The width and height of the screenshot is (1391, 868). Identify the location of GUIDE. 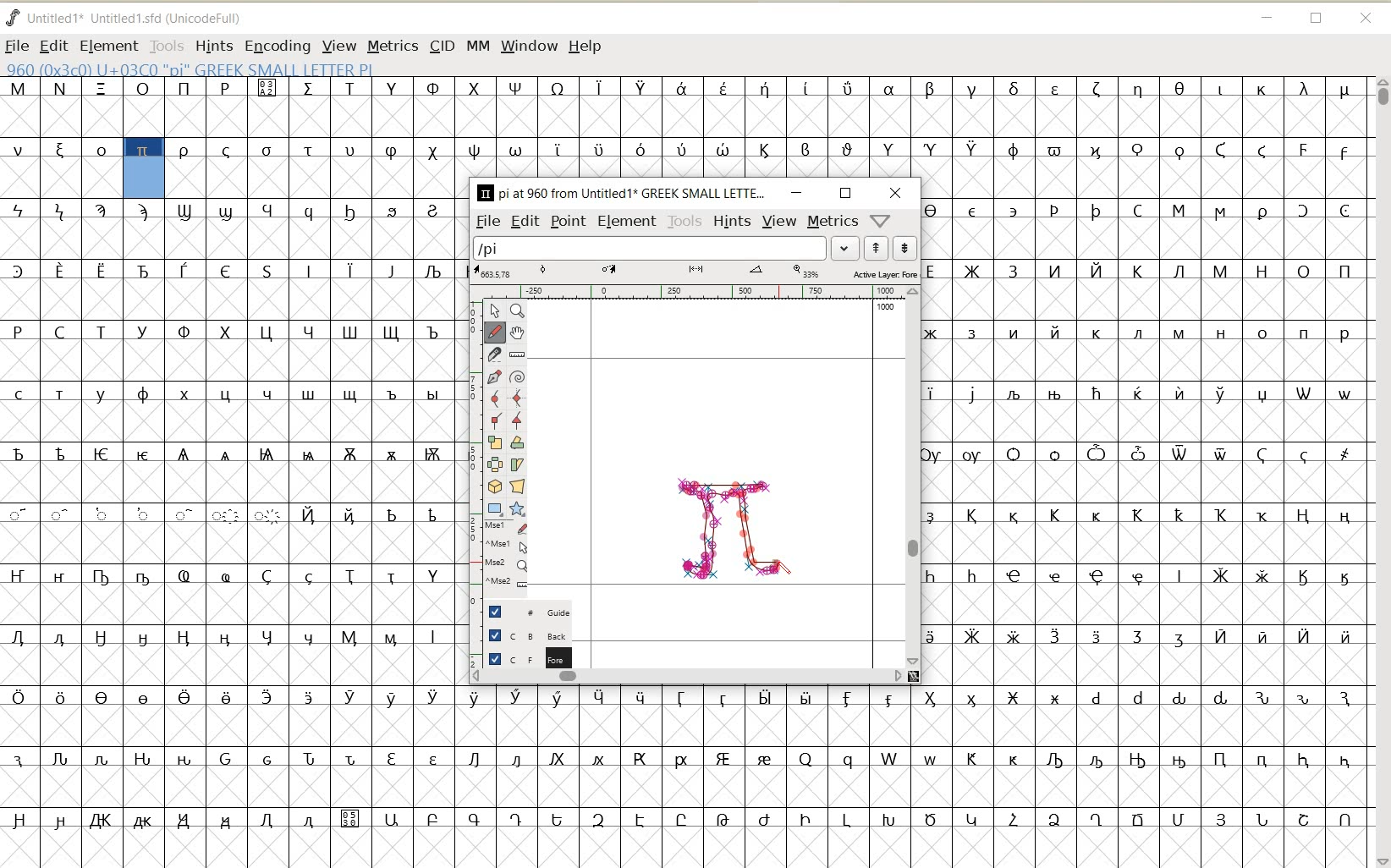
(521, 612).